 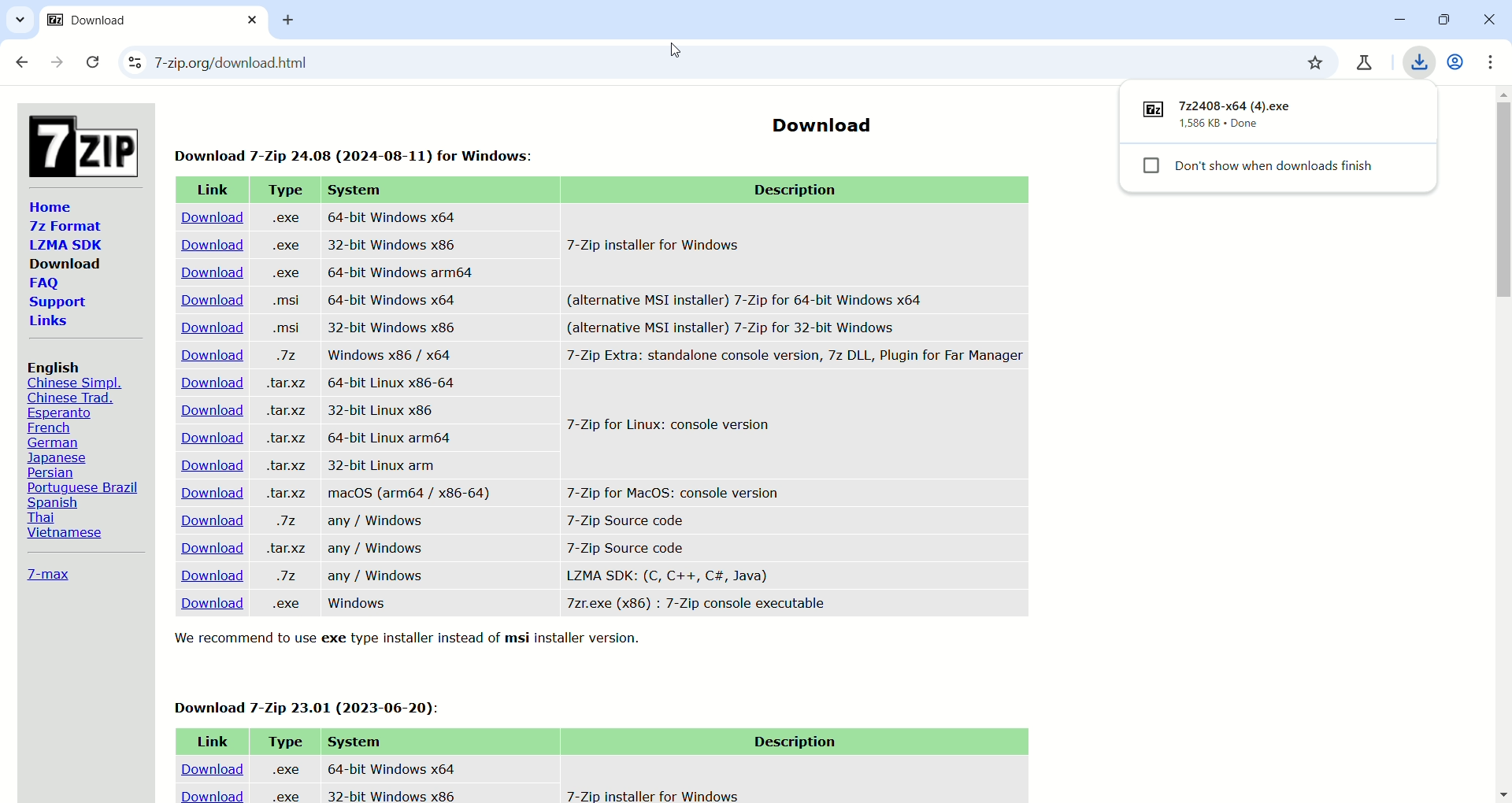 I want to click on Download 7-Zip 24.08 (2024-08-11) for Windows:, so click(x=359, y=151).